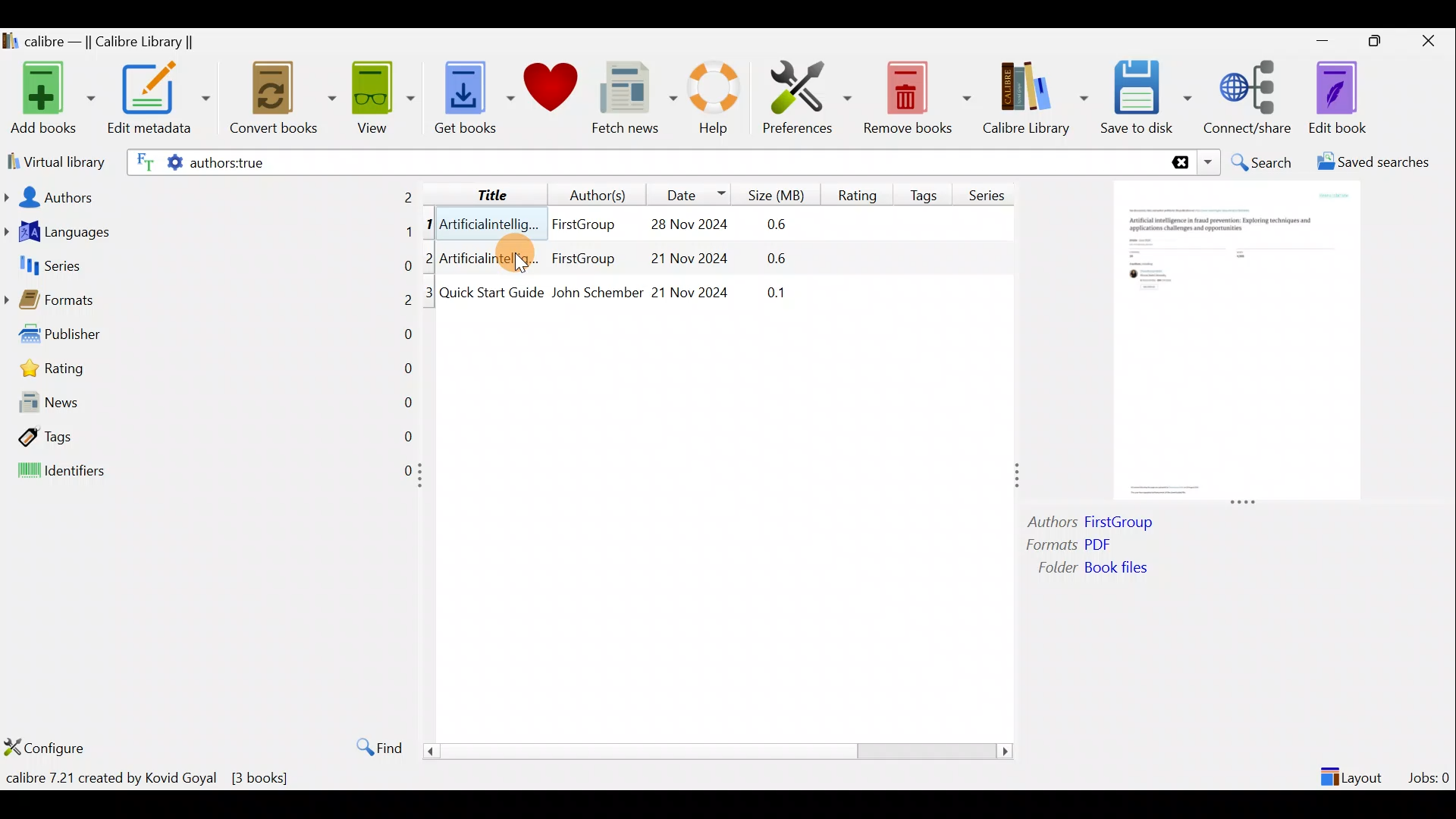 This screenshot has width=1456, height=819. I want to click on FirstGroup, so click(582, 260).